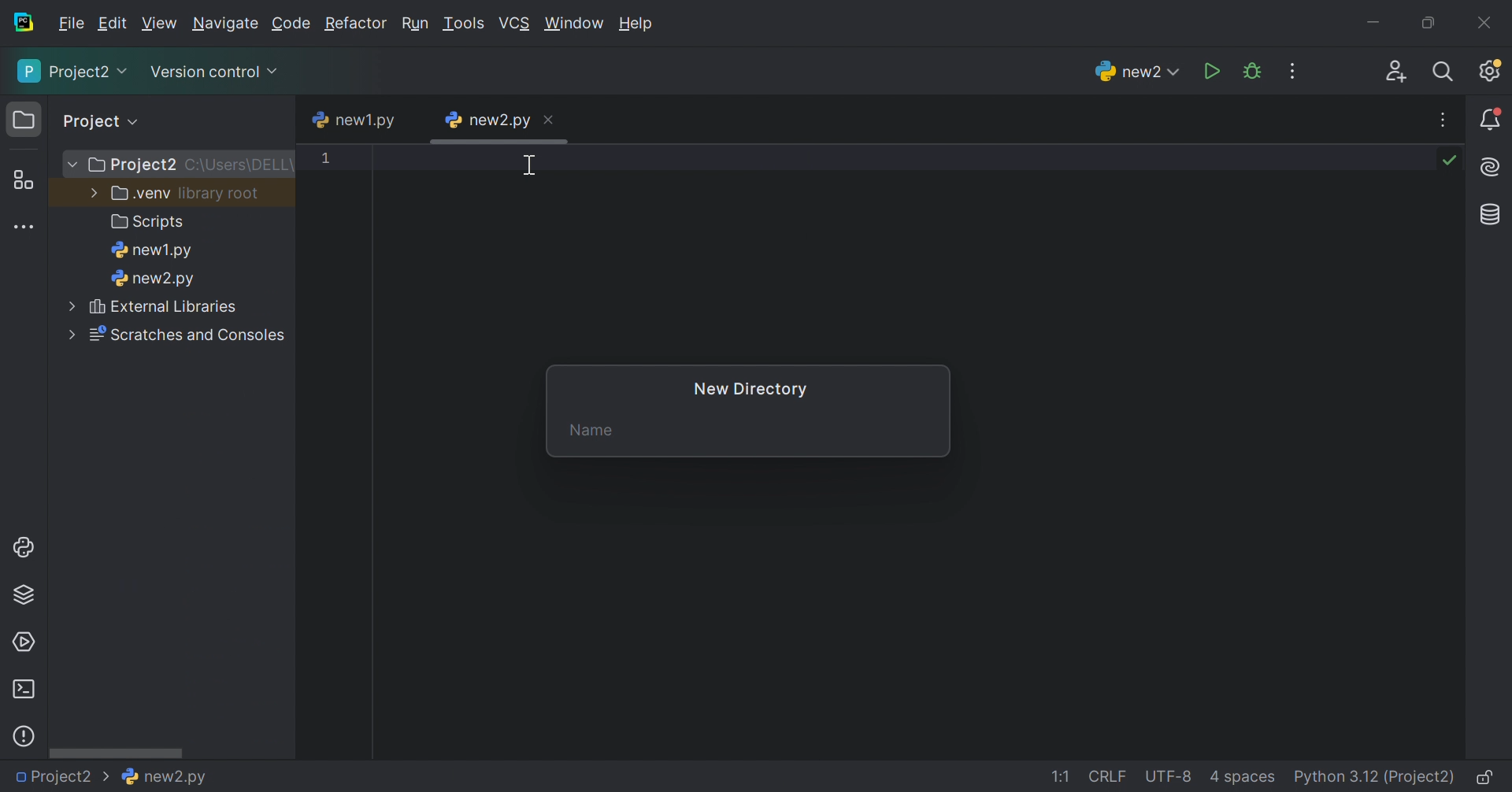 The height and width of the screenshot is (792, 1512). Describe the element at coordinates (1373, 777) in the screenshot. I see `Python 3.12 (Project2)` at that location.